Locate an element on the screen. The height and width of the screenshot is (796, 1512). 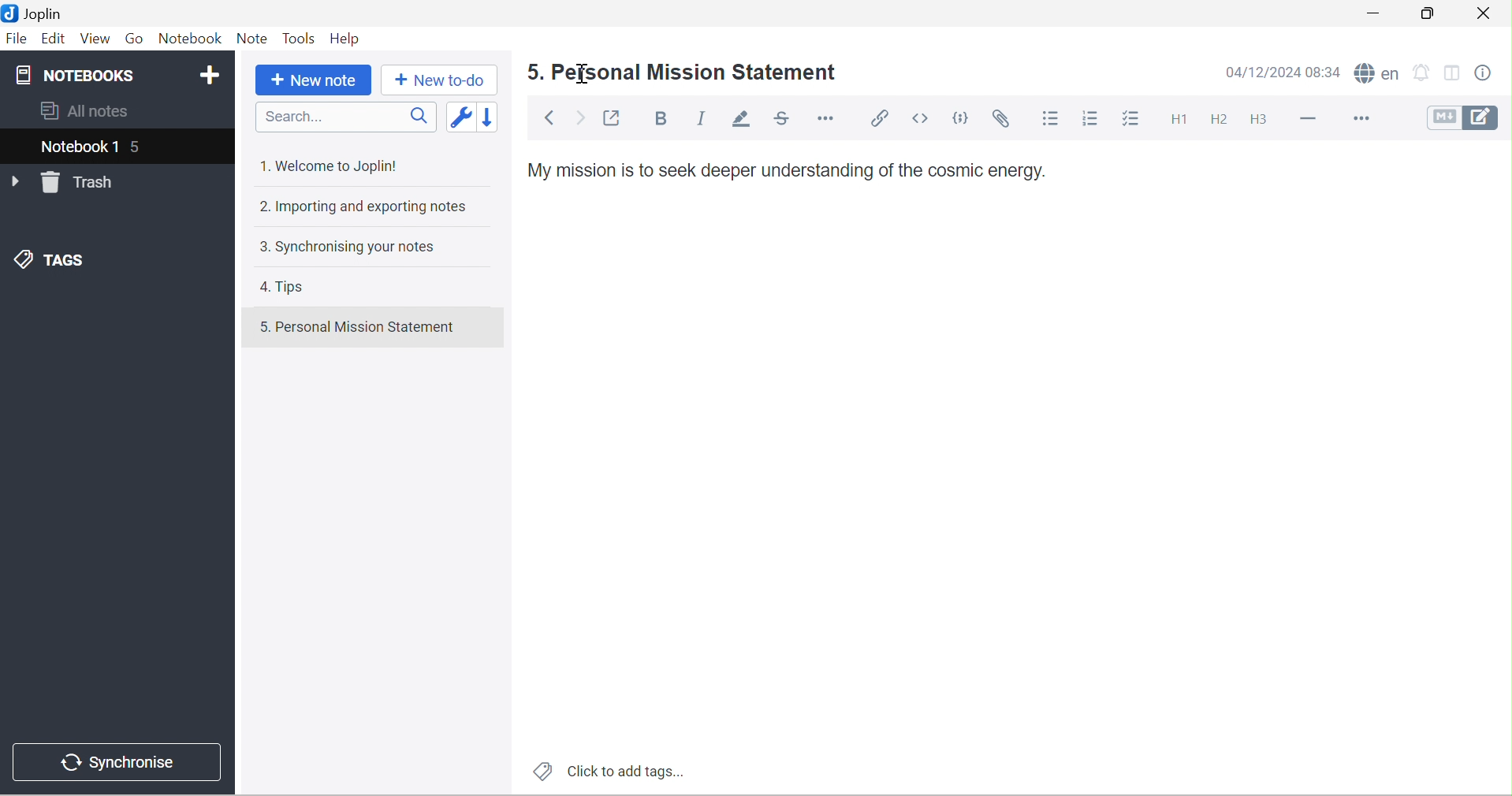
Note is located at coordinates (253, 38).